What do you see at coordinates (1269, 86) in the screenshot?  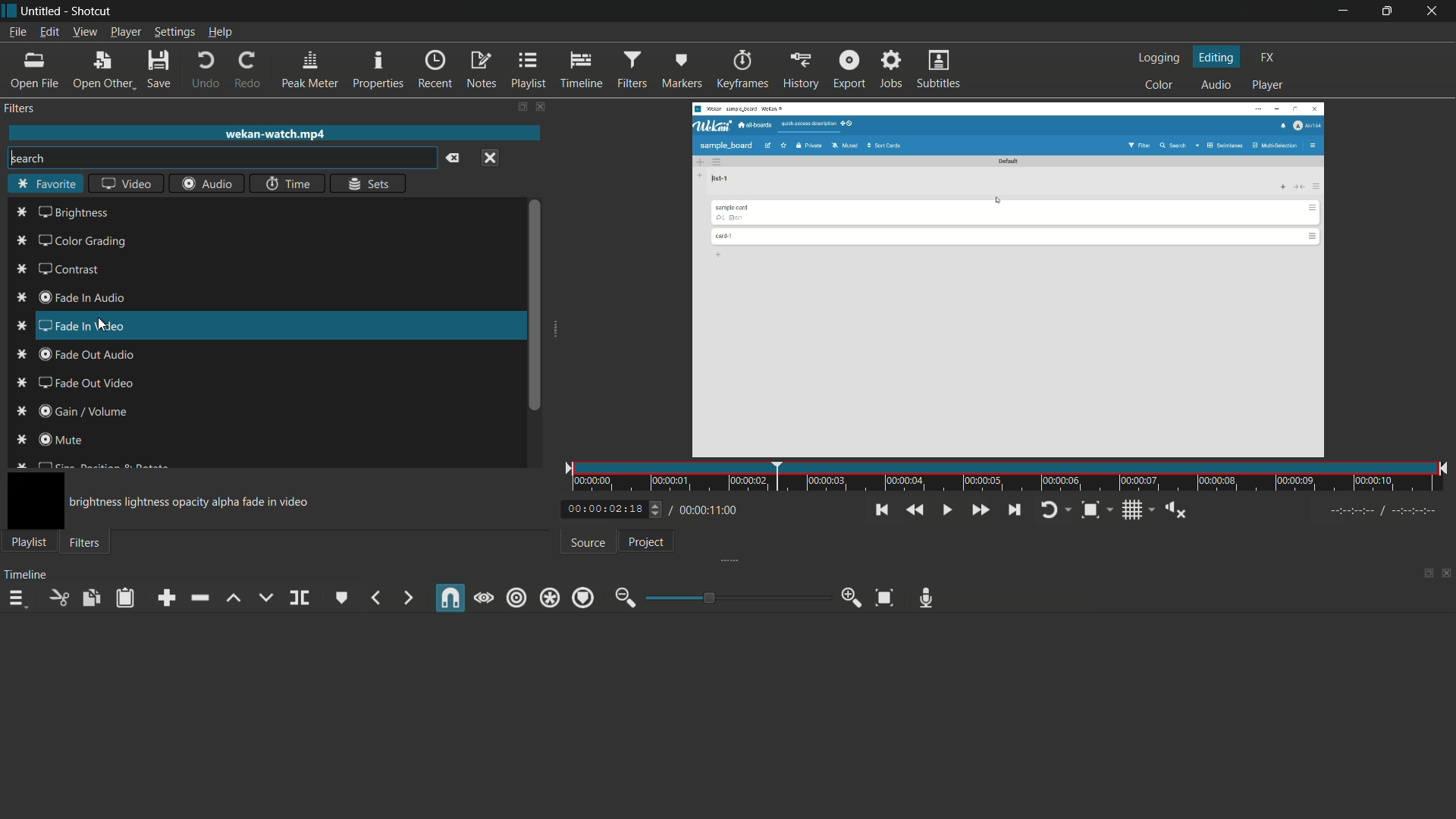 I see `player` at bounding box center [1269, 86].